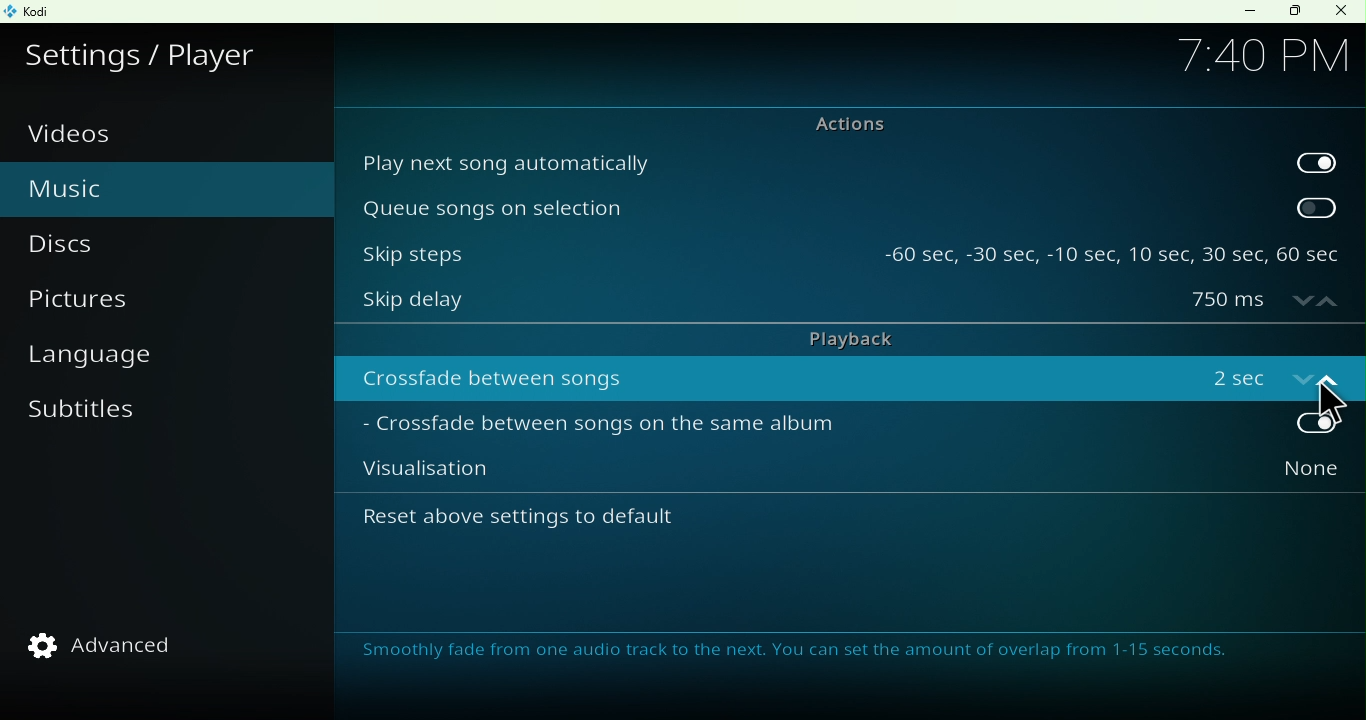 This screenshot has width=1366, height=720. What do you see at coordinates (576, 524) in the screenshot?
I see `Reset above settings to default` at bounding box center [576, 524].